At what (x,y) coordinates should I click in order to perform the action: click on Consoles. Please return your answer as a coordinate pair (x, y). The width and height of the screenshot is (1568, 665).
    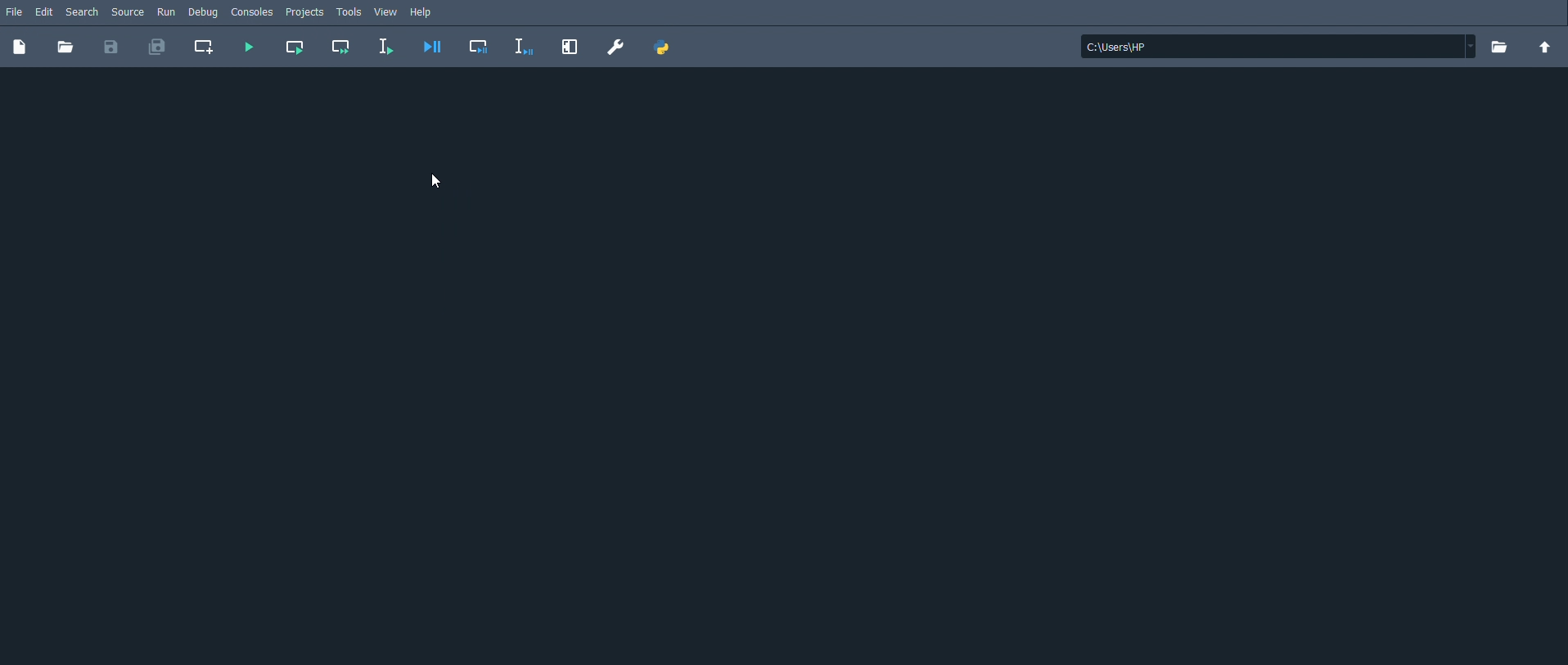
    Looking at the image, I should click on (254, 13).